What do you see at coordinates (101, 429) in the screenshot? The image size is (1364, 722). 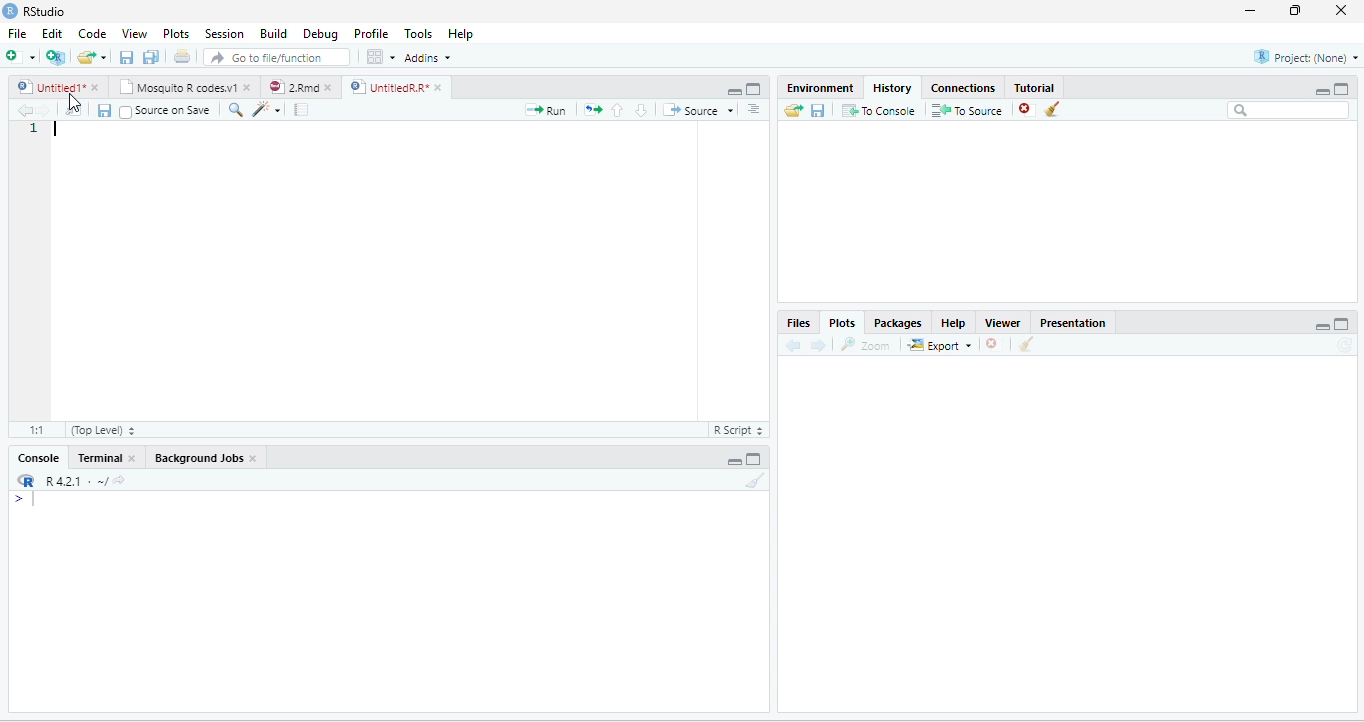 I see `(Top Level)` at bounding box center [101, 429].